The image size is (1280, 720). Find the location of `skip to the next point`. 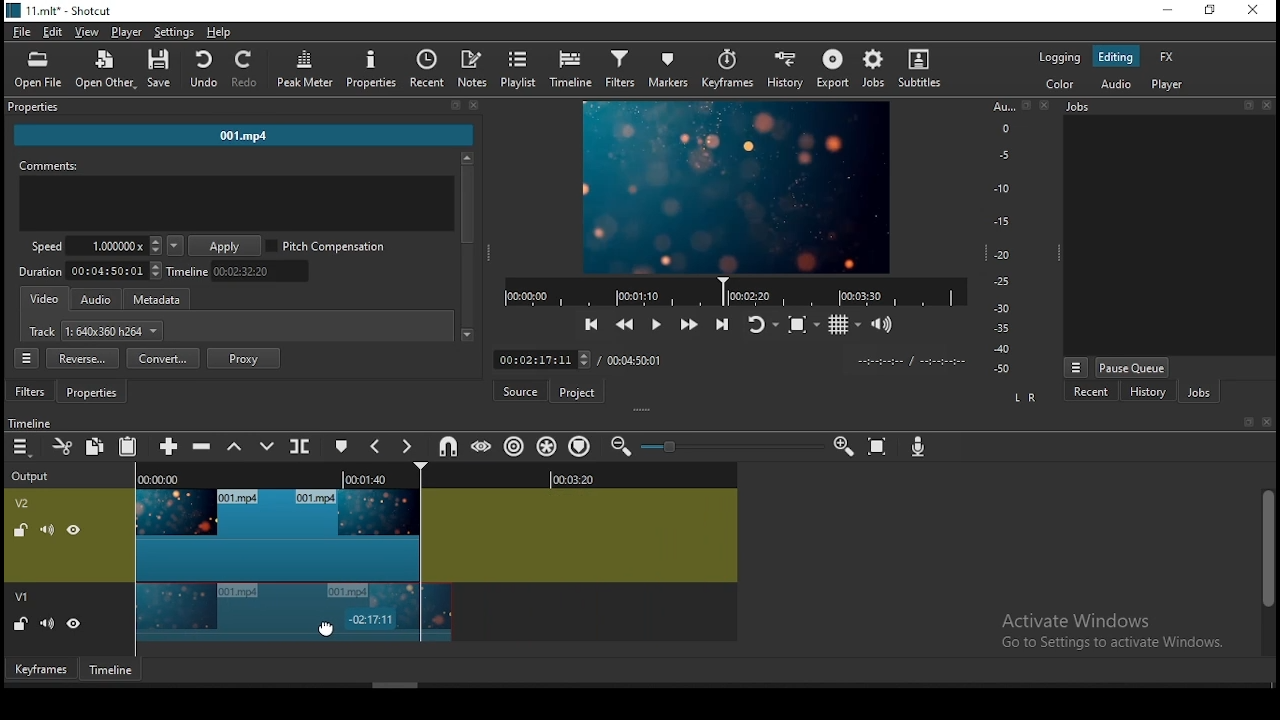

skip to the next point is located at coordinates (726, 323).